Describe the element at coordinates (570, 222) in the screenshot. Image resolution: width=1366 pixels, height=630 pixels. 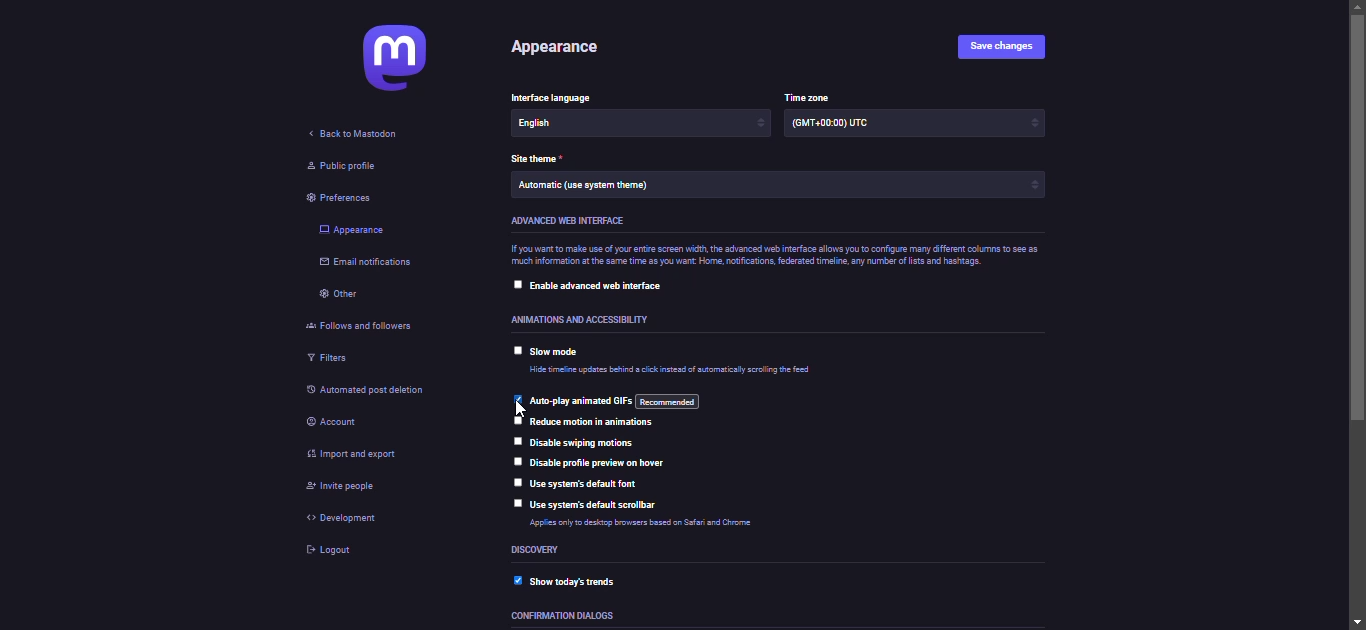
I see `advanced web interface` at that location.